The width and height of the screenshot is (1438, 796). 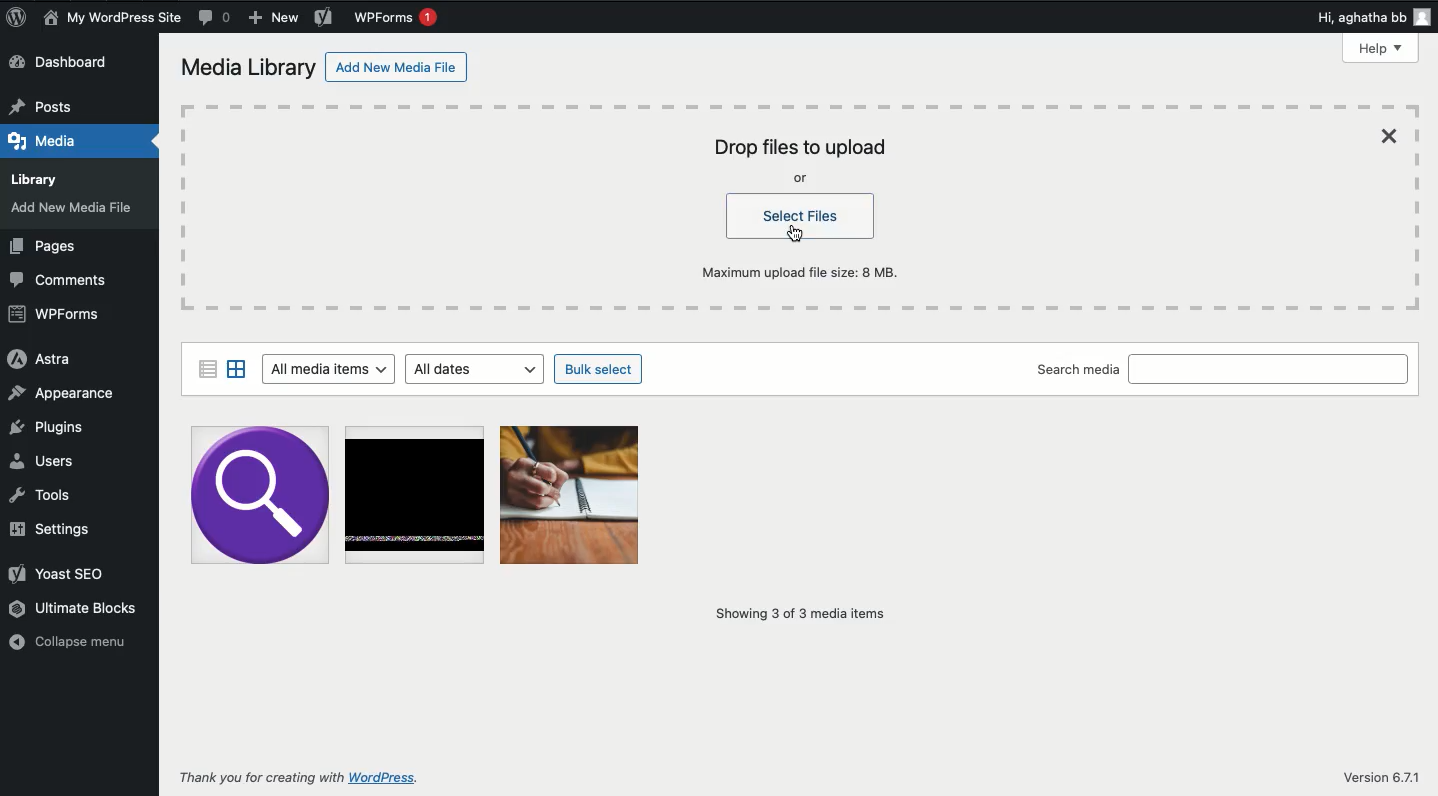 What do you see at coordinates (48, 427) in the screenshot?
I see `Plugins` at bounding box center [48, 427].